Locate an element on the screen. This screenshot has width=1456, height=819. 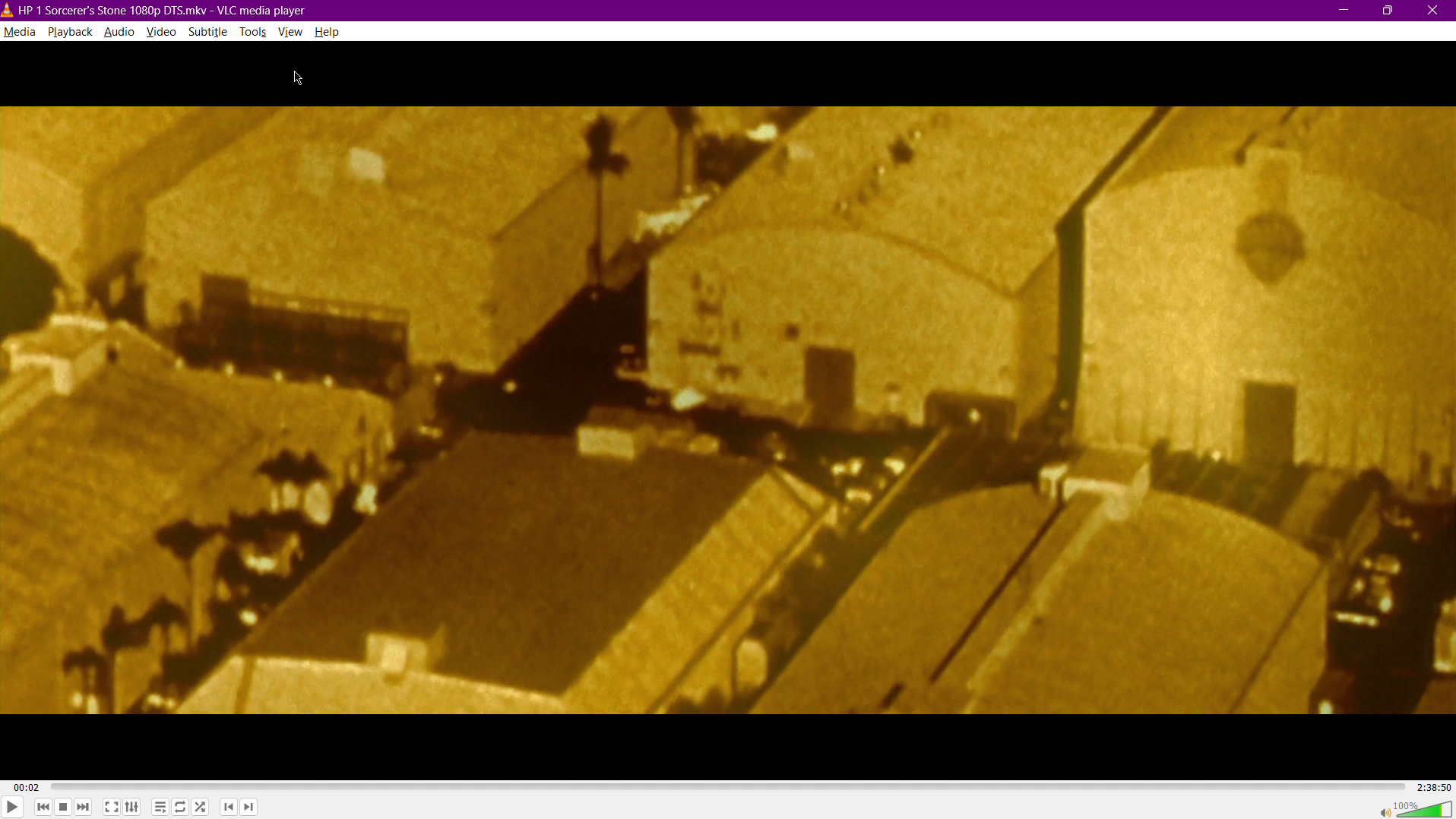
Fullscreen is located at coordinates (112, 808).